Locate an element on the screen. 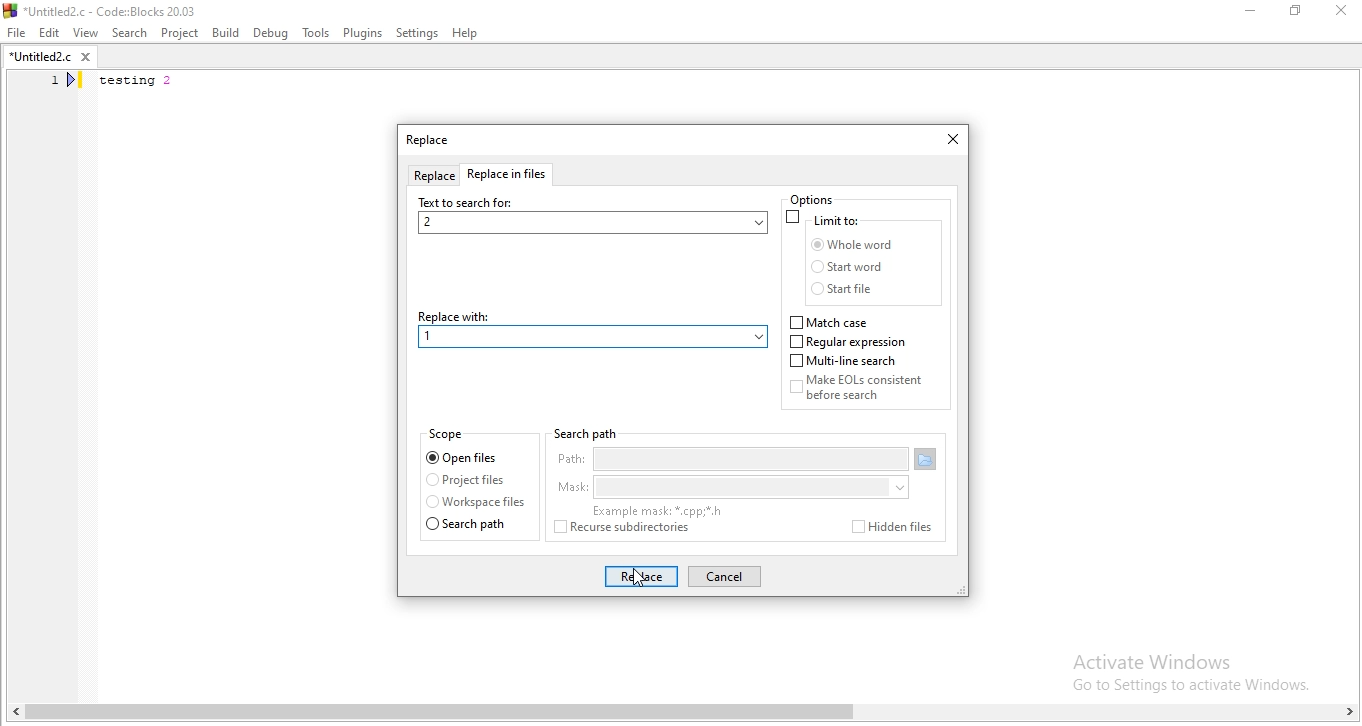  Search  is located at coordinates (127, 32).